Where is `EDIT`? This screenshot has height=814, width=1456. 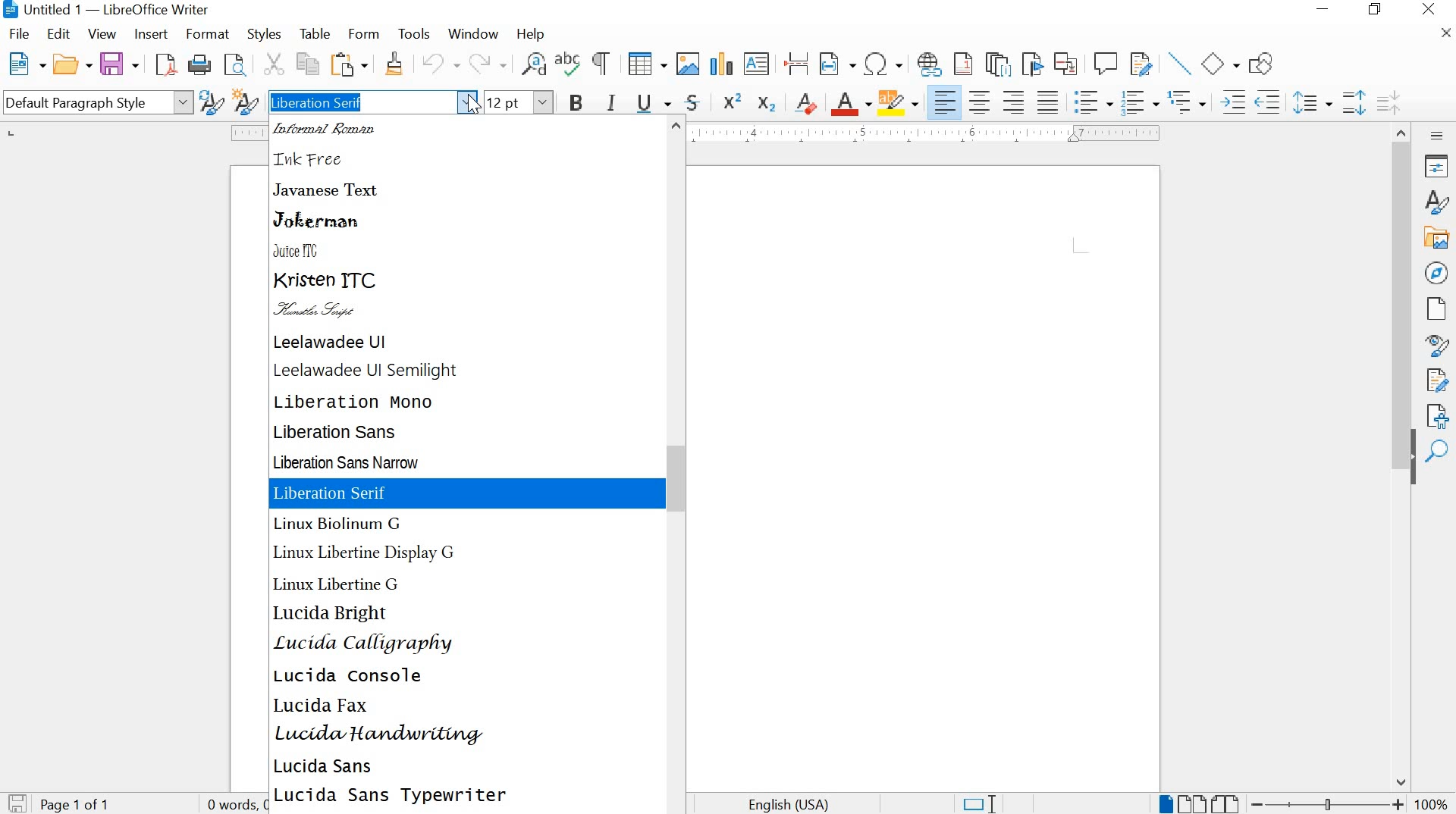
EDIT is located at coordinates (58, 36).